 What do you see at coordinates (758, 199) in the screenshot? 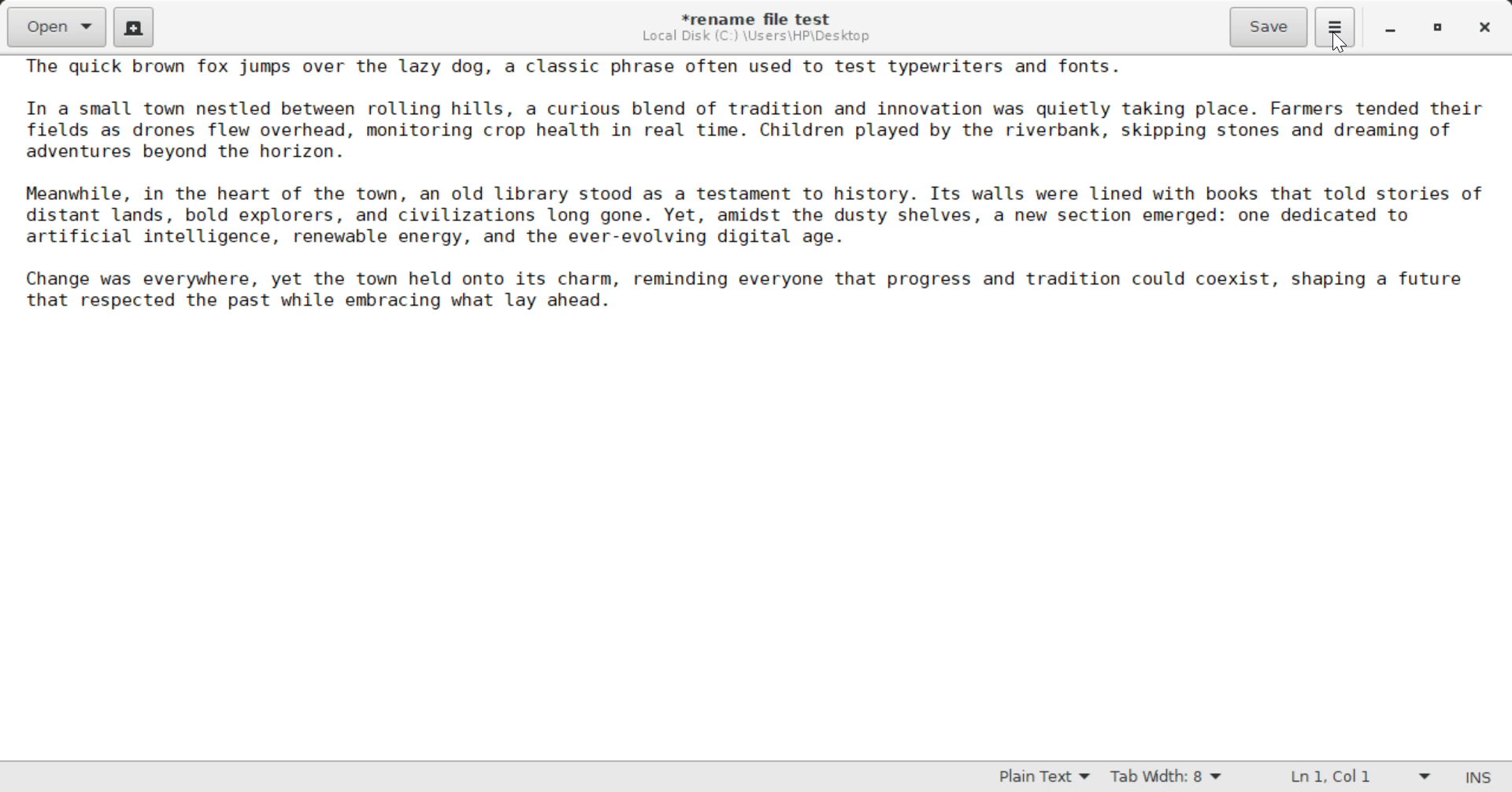
I see `The quick brown fox jumps over the lazy dog, a classic phrase often used to test typewriters and fonts.In a small town nestled between rolling hills, a curious blend of tradition and innovation was quietly taking place. Farmers tended theirfields as drones flew overhead, monitoring crop health in real time. Children played by the riverbank, skipping stones and dreaming ofadventures beyond the horizon.Meanwhile, in the heart of the town, an old library stood as a testament to history. Its walls were lined with books that told stories ofdistant lands, bold explorers, and civilizations long gone. Yet, amidst the dusty shelves, a new section emerged: one dedicated toartificial intelligence, renewable energy, and the ever-evolving digital age.Change was everywhere, yet the town held onto its charm, reminding everyone that progress and tradition could coexist, shaping a futurethat respected the past while embracing what lay ahead.` at bounding box center [758, 199].